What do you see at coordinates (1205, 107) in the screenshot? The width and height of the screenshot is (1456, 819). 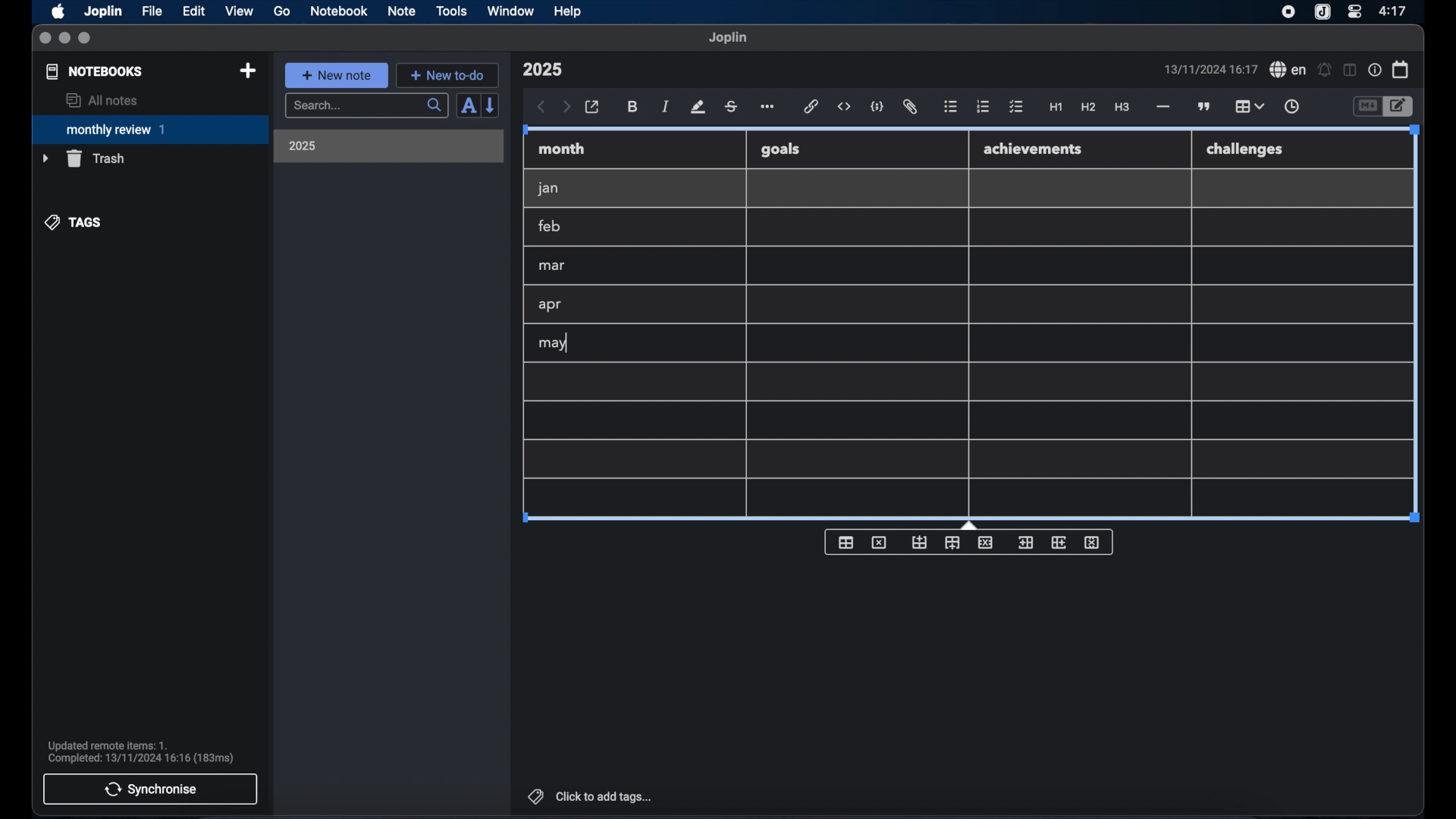 I see `block quotes` at bounding box center [1205, 107].